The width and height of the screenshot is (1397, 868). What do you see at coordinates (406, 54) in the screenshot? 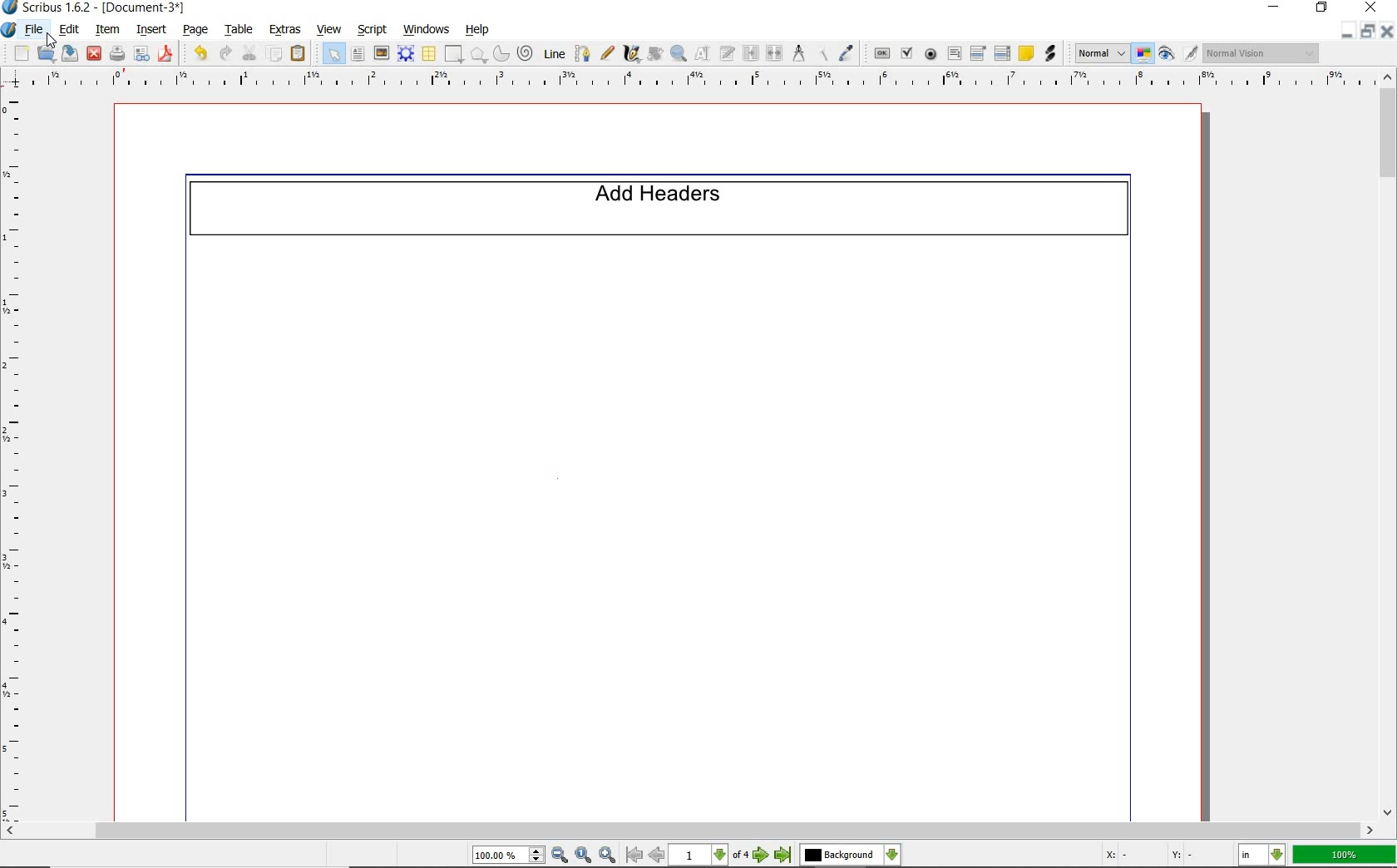
I see `render frame` at bounding box center [406, 54].